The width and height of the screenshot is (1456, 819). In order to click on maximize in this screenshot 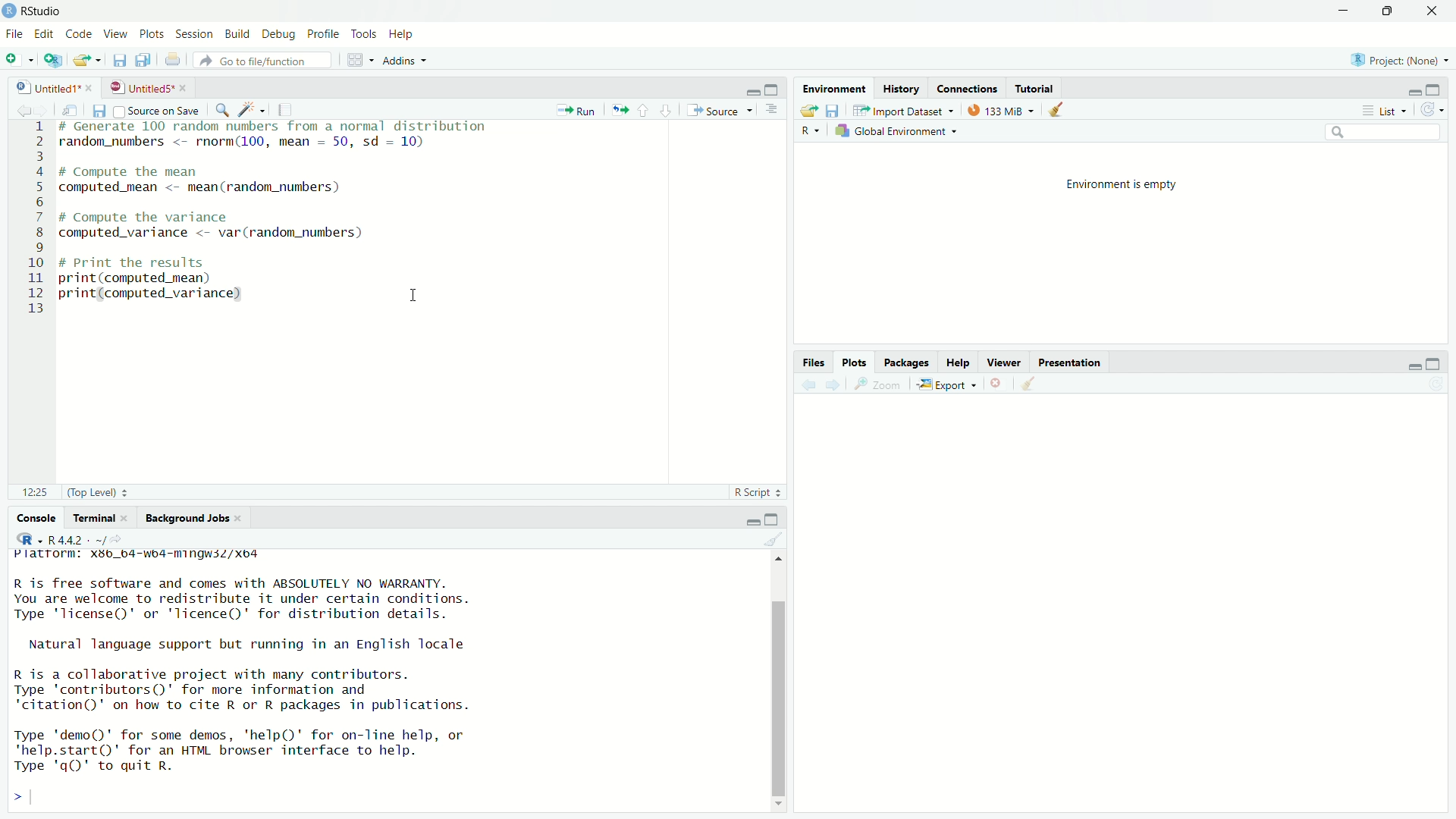, I will do `click(1441, 89)`.